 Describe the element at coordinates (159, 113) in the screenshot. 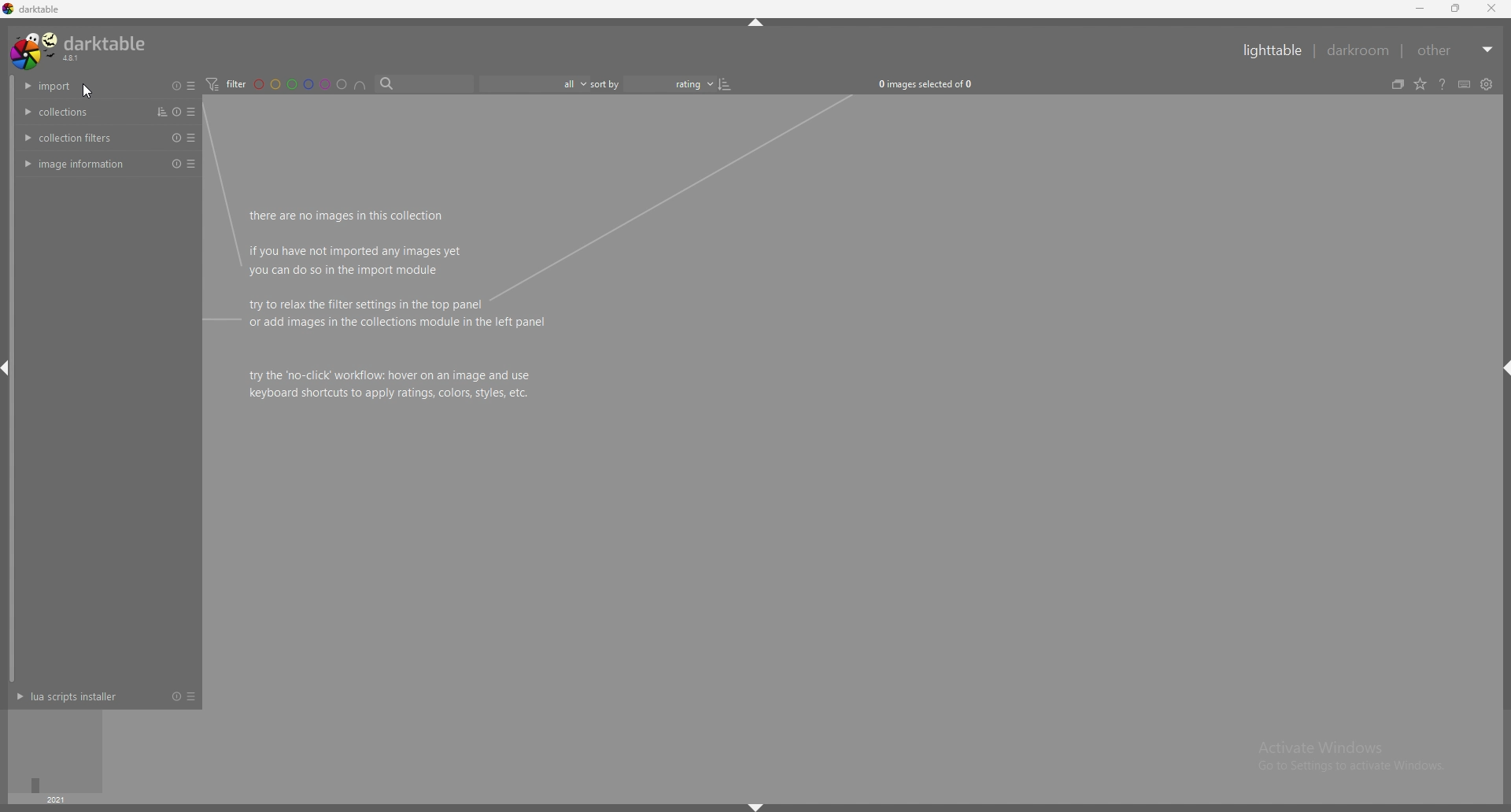

I see `sort` at that location.